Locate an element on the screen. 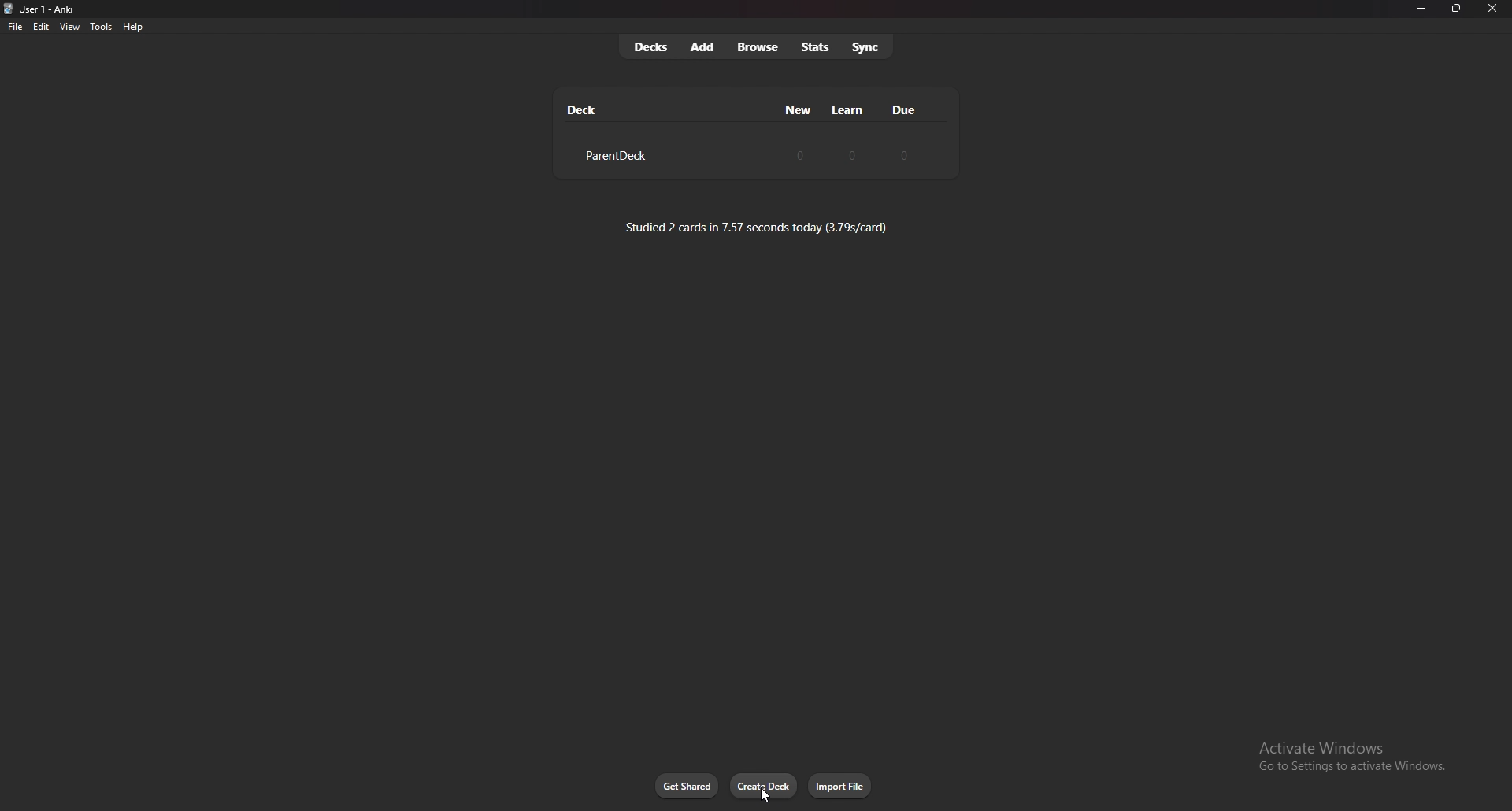  0 is located at coordinates (853, 154).